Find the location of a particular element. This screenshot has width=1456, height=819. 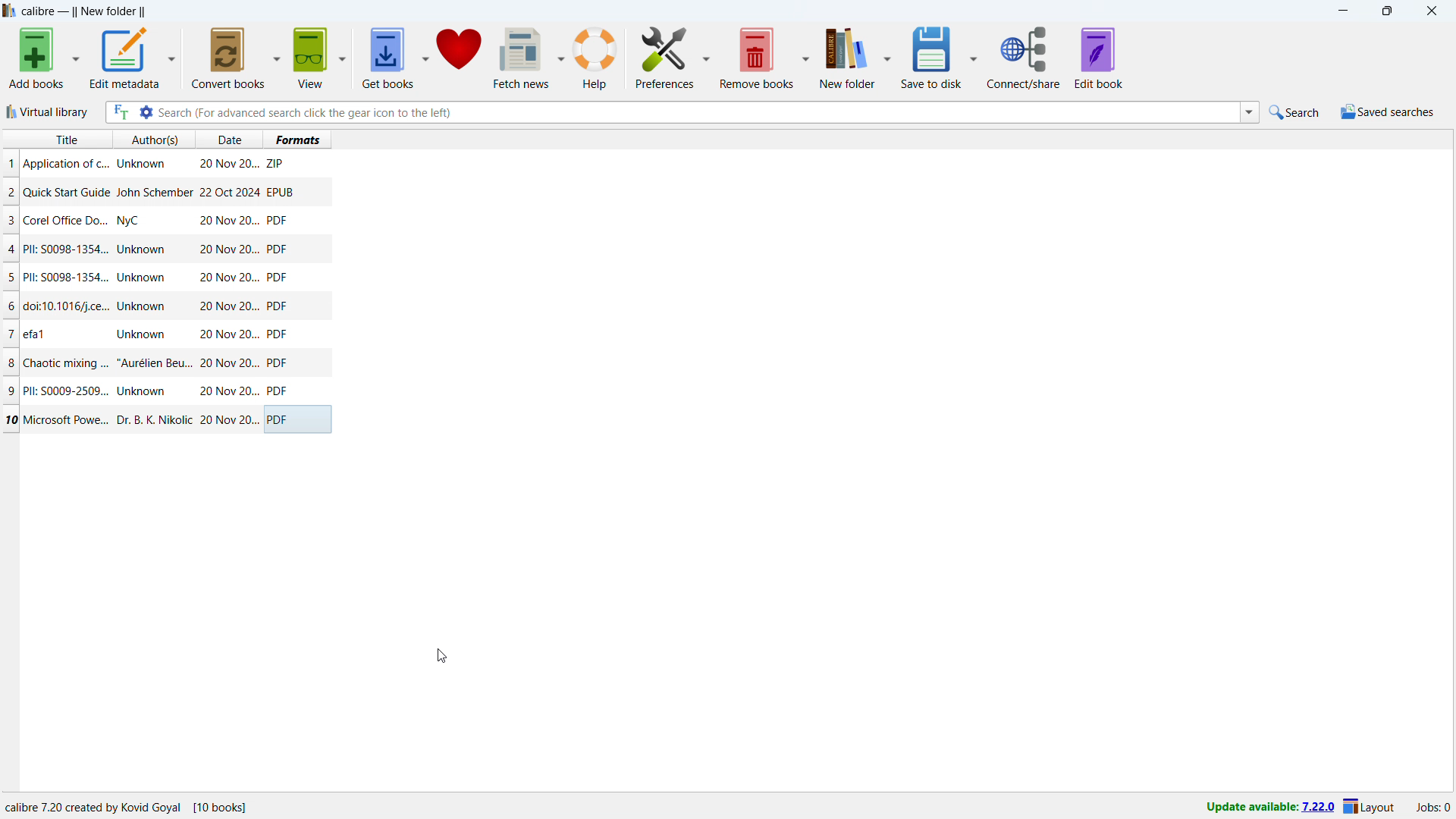

ZIP is located at coordinates (278, 164).